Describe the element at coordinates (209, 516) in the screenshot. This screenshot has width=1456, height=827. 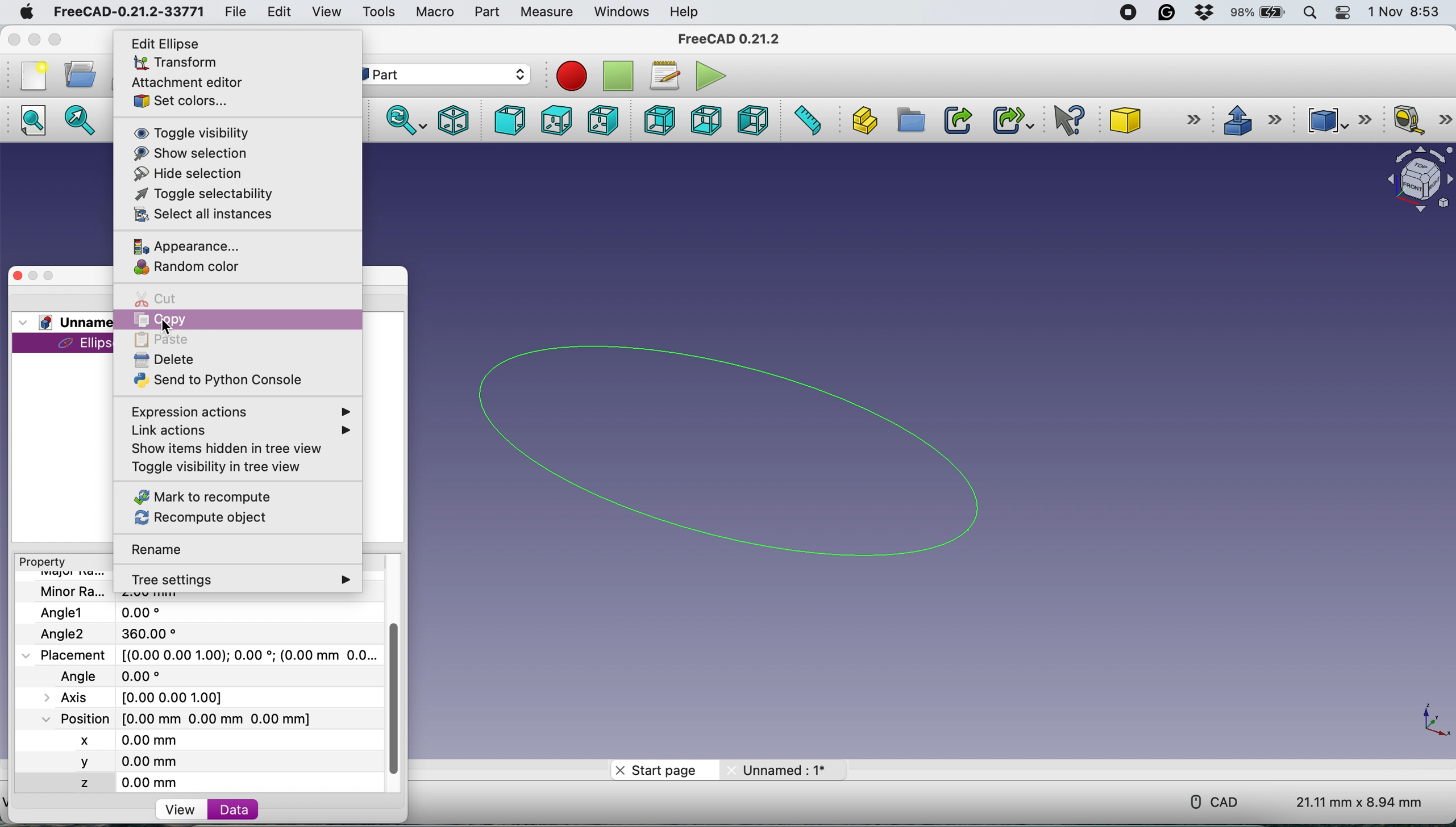
I see `recompute object` at that location.